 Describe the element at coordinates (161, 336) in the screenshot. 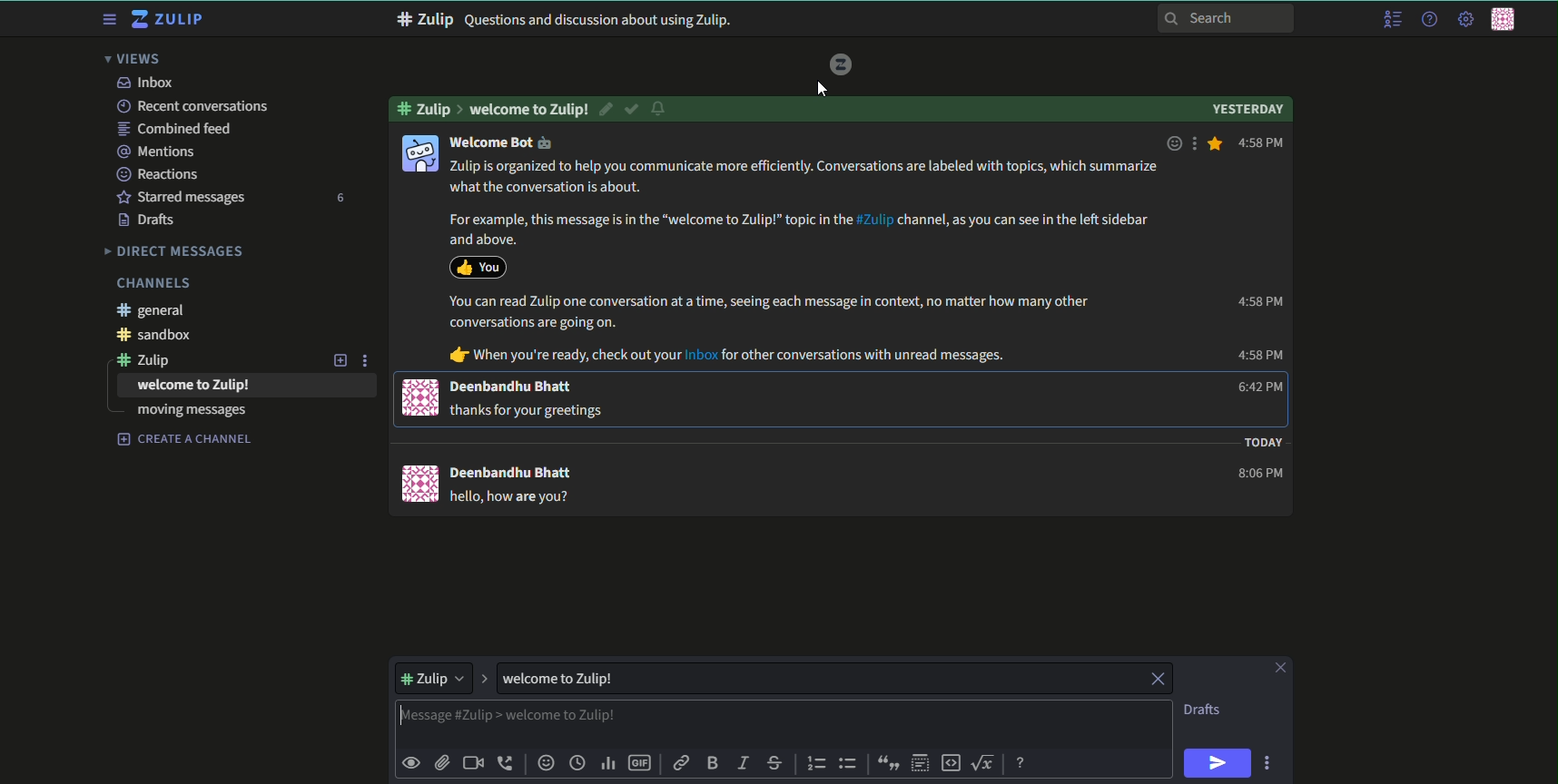

I see `#sandbox` at that location.